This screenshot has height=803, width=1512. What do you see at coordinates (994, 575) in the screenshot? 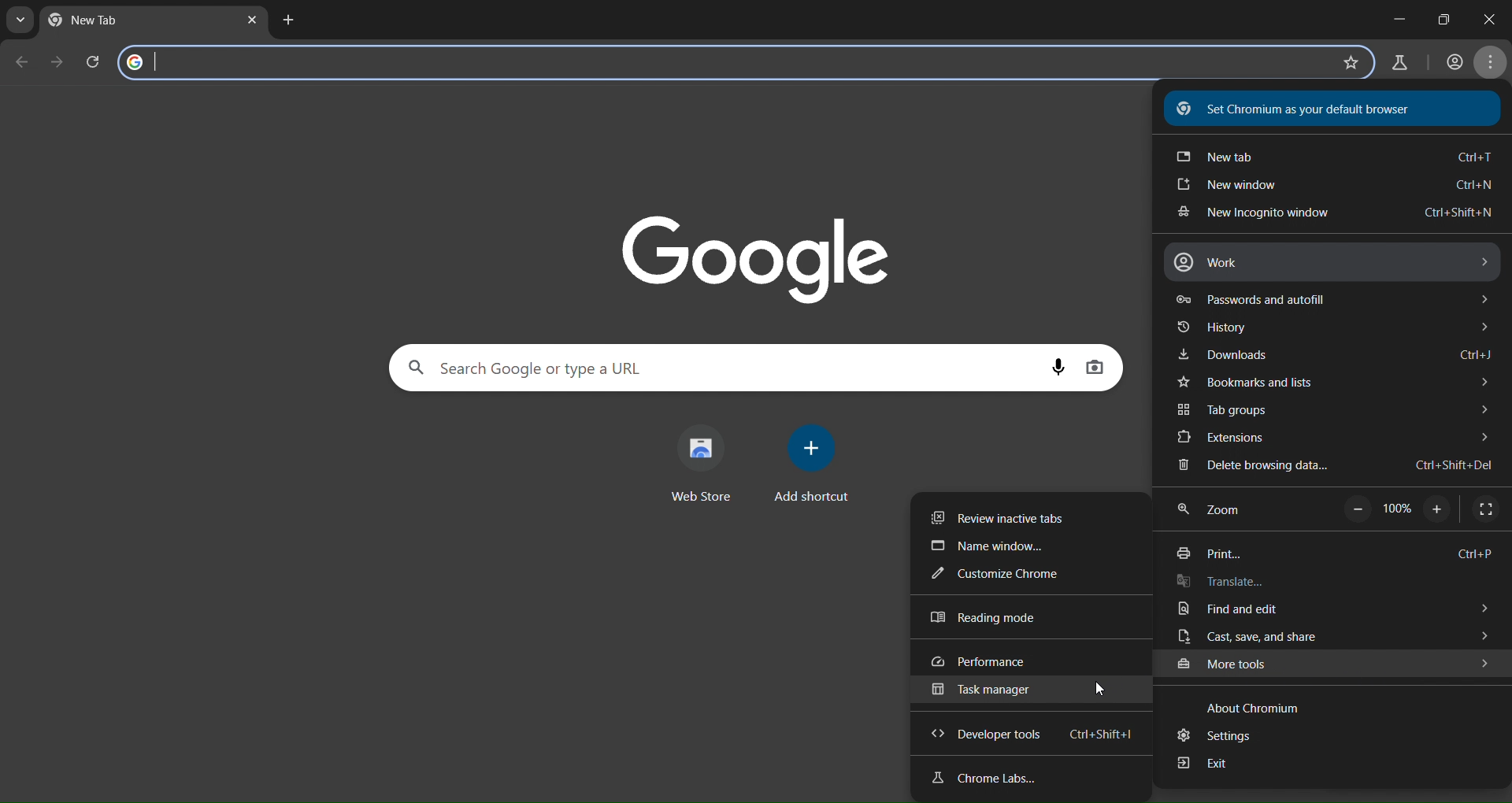
I see `customize window` at bounding box center [994, 575].